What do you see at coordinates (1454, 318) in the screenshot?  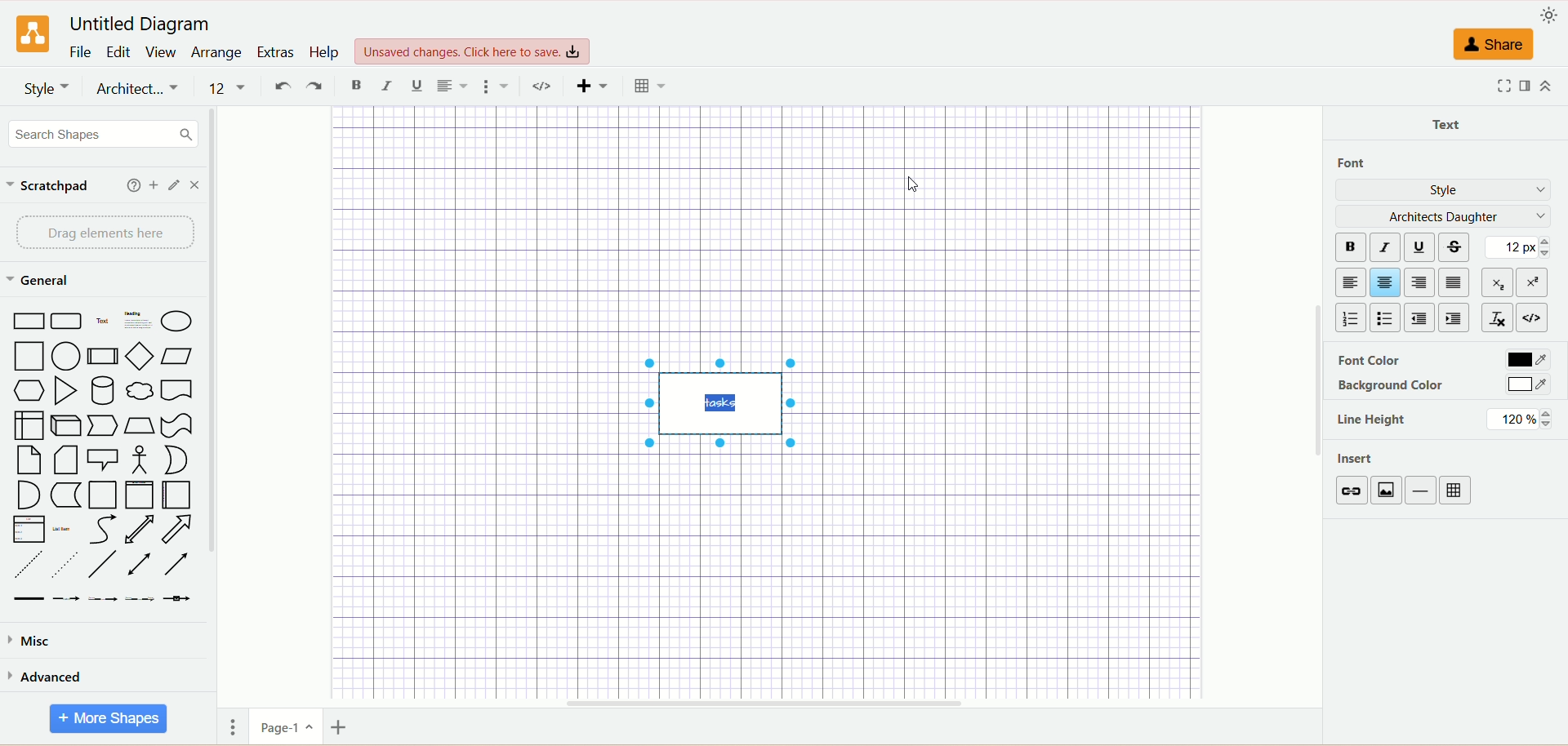 I see `increased indent` at bounding box center [1454, 318].